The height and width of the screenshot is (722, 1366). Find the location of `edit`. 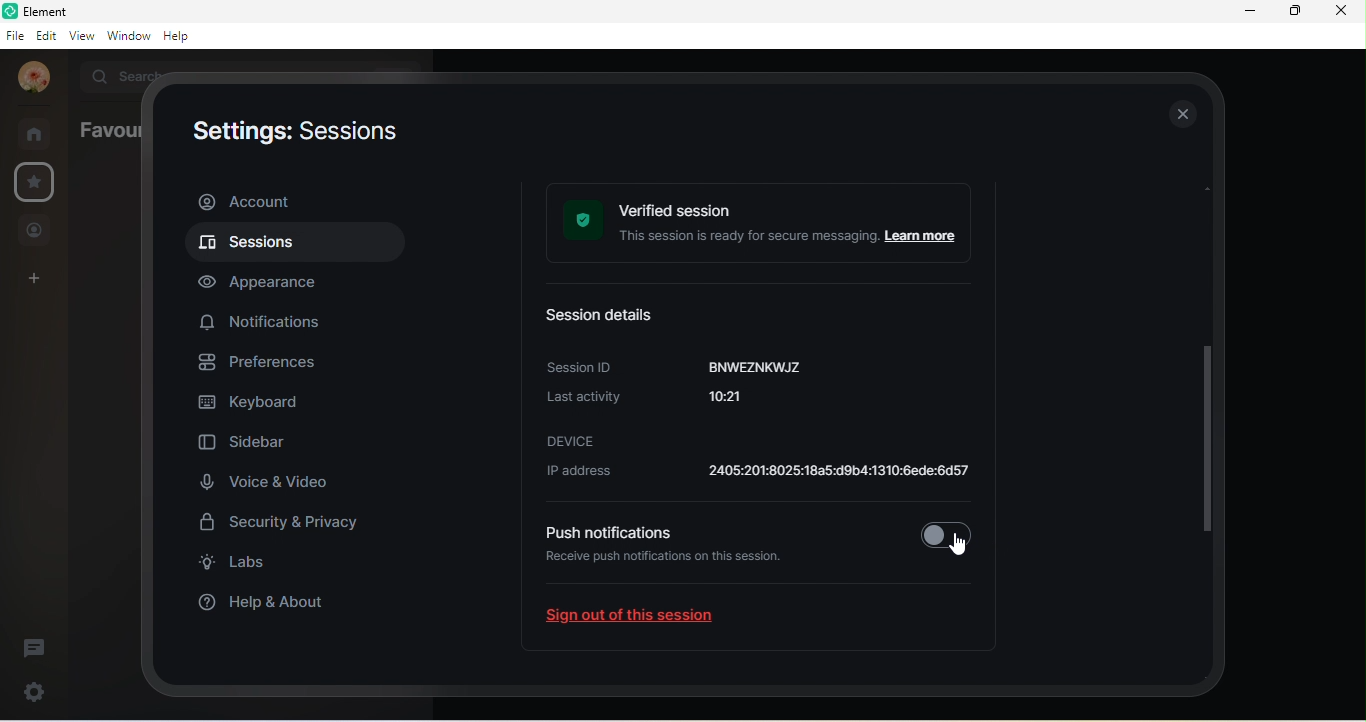

edit is located at coordinates (47, 35).